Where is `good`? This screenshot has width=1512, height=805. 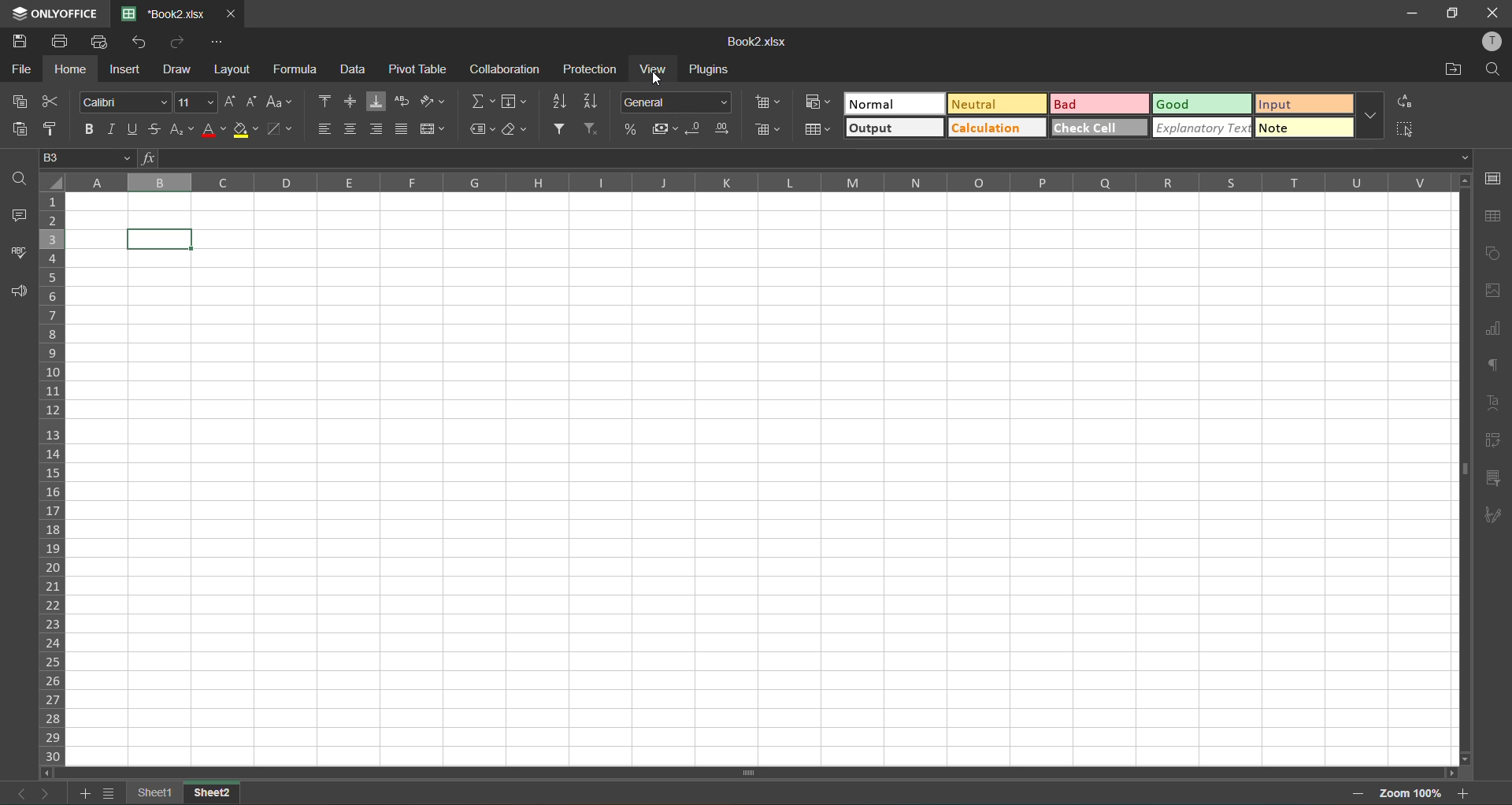
good is located at coordinates (1203, 104).